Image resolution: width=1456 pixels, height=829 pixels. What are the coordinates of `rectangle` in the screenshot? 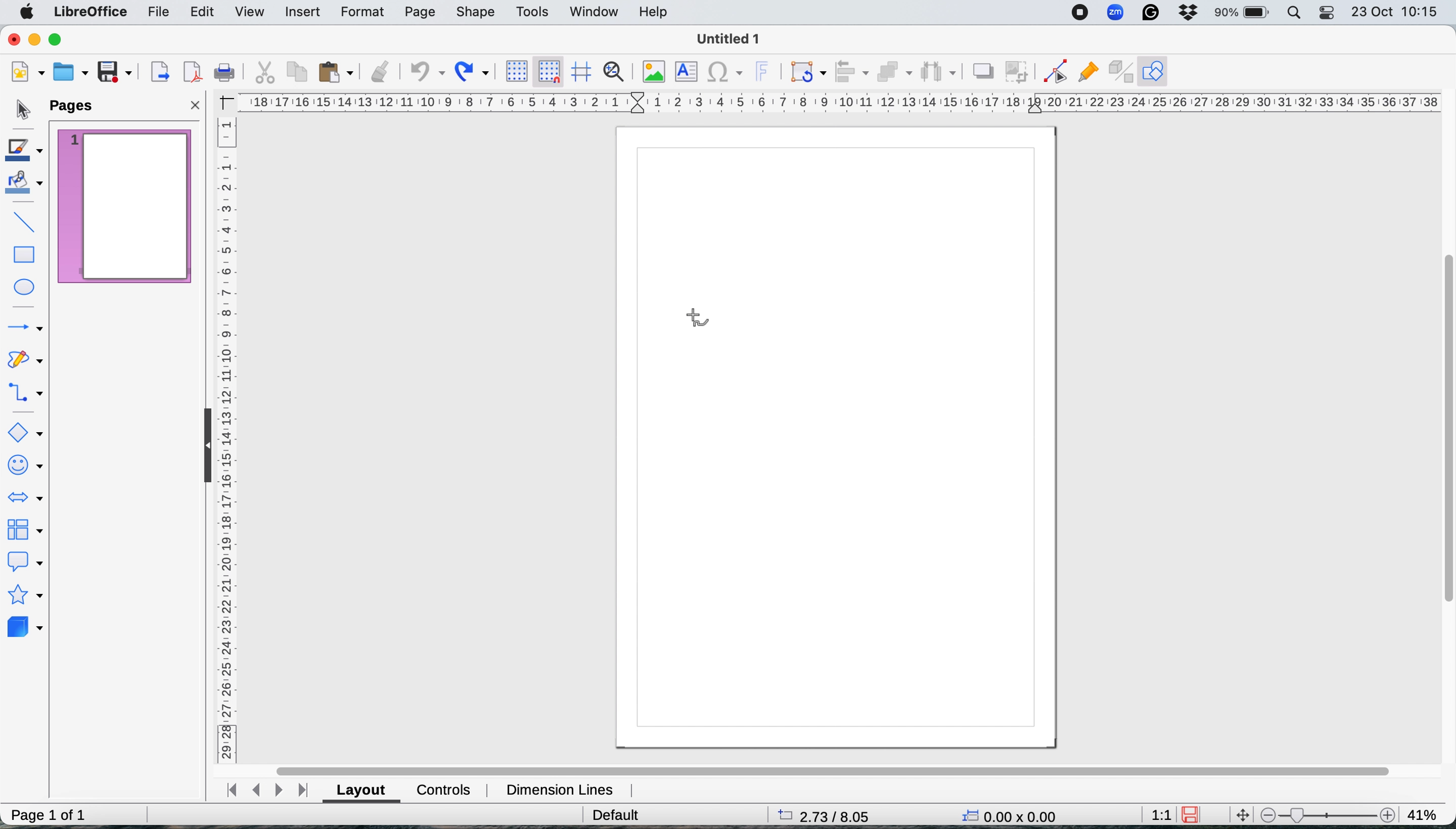 It's located at (25, 254).